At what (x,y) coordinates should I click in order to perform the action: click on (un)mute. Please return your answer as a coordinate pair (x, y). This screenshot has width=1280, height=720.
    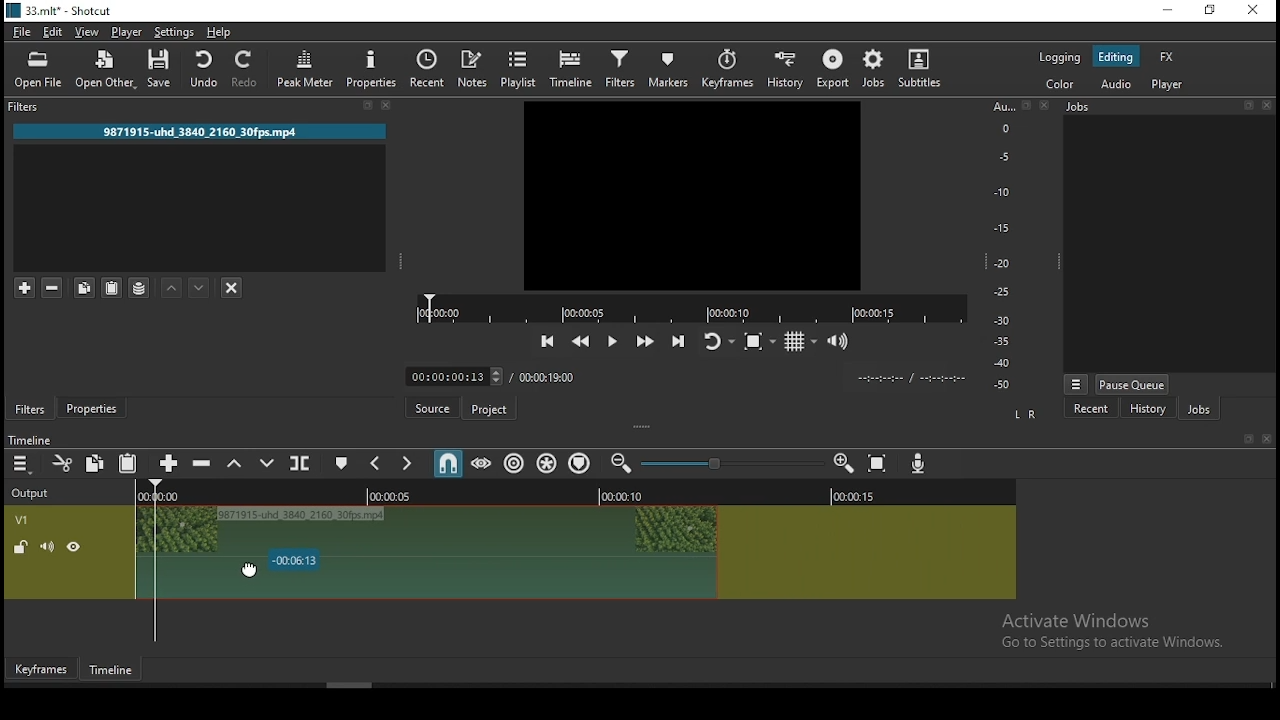
    Looking at the image, I should click on (47, 548).